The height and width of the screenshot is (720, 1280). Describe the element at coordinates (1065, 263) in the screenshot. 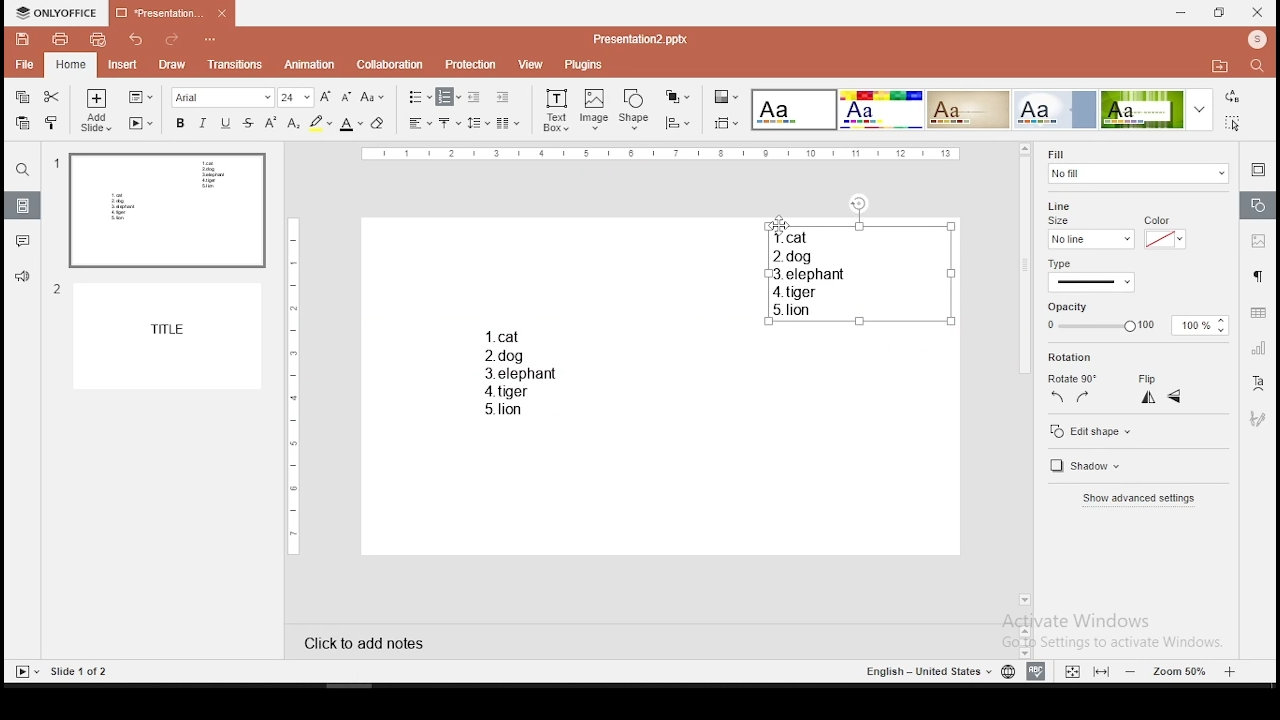

I see `type` at that location.